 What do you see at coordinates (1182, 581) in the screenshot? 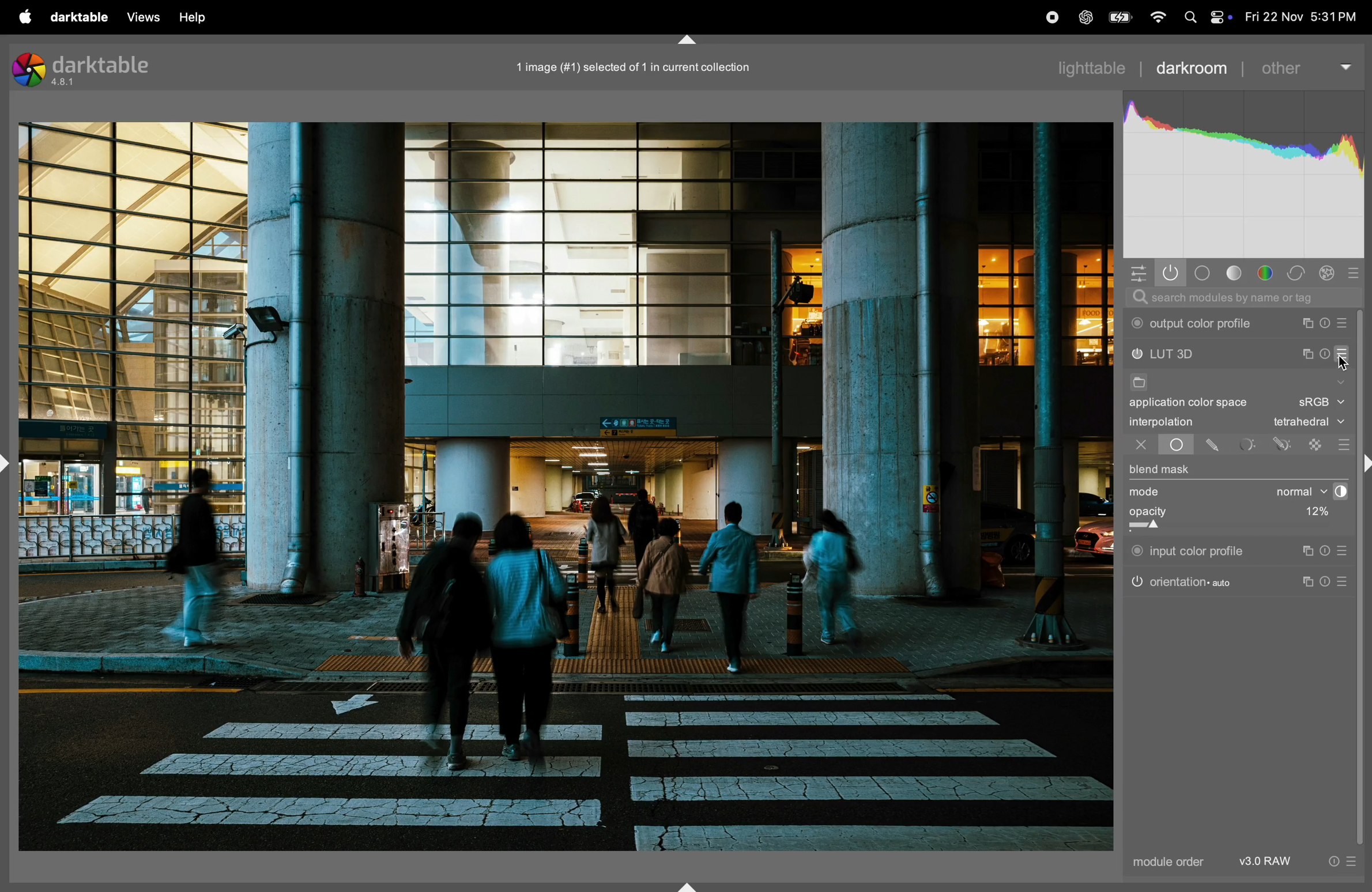
I see `orientation` at bounding box center [1182, 581].